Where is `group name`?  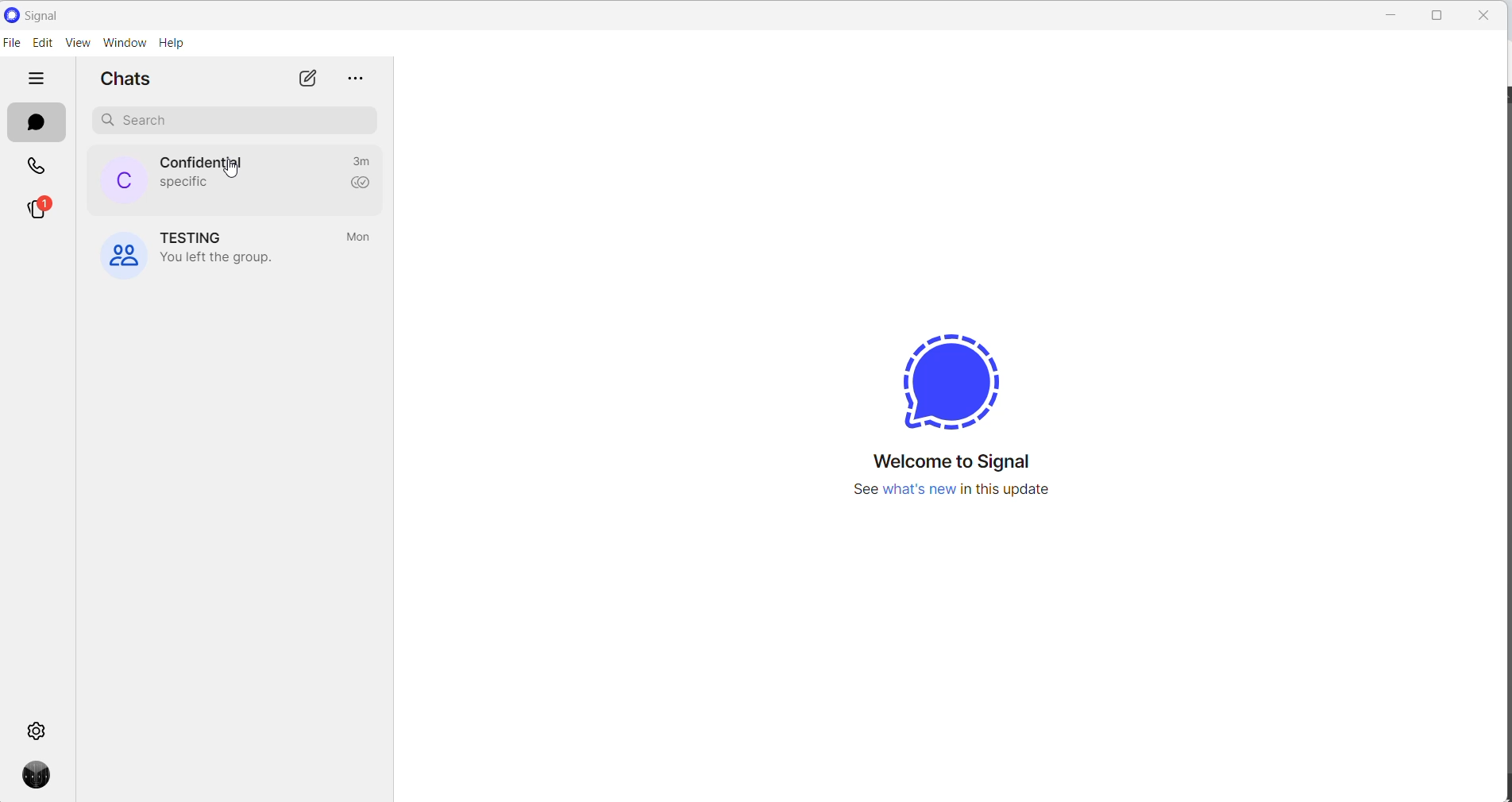
group name is located at coordinates (193, 237).